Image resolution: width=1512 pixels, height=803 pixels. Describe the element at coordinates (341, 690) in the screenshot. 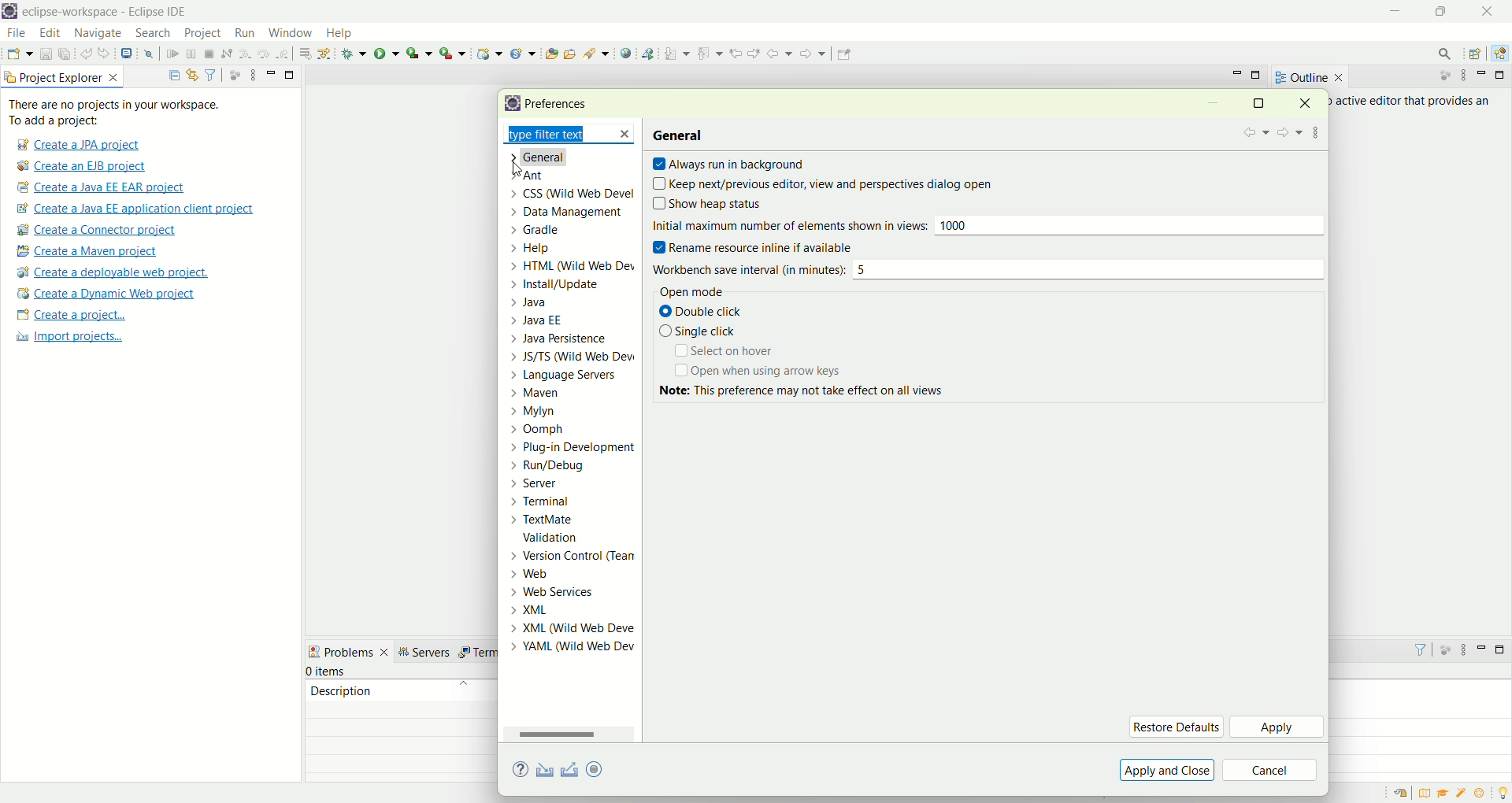

I see `description` at that location.